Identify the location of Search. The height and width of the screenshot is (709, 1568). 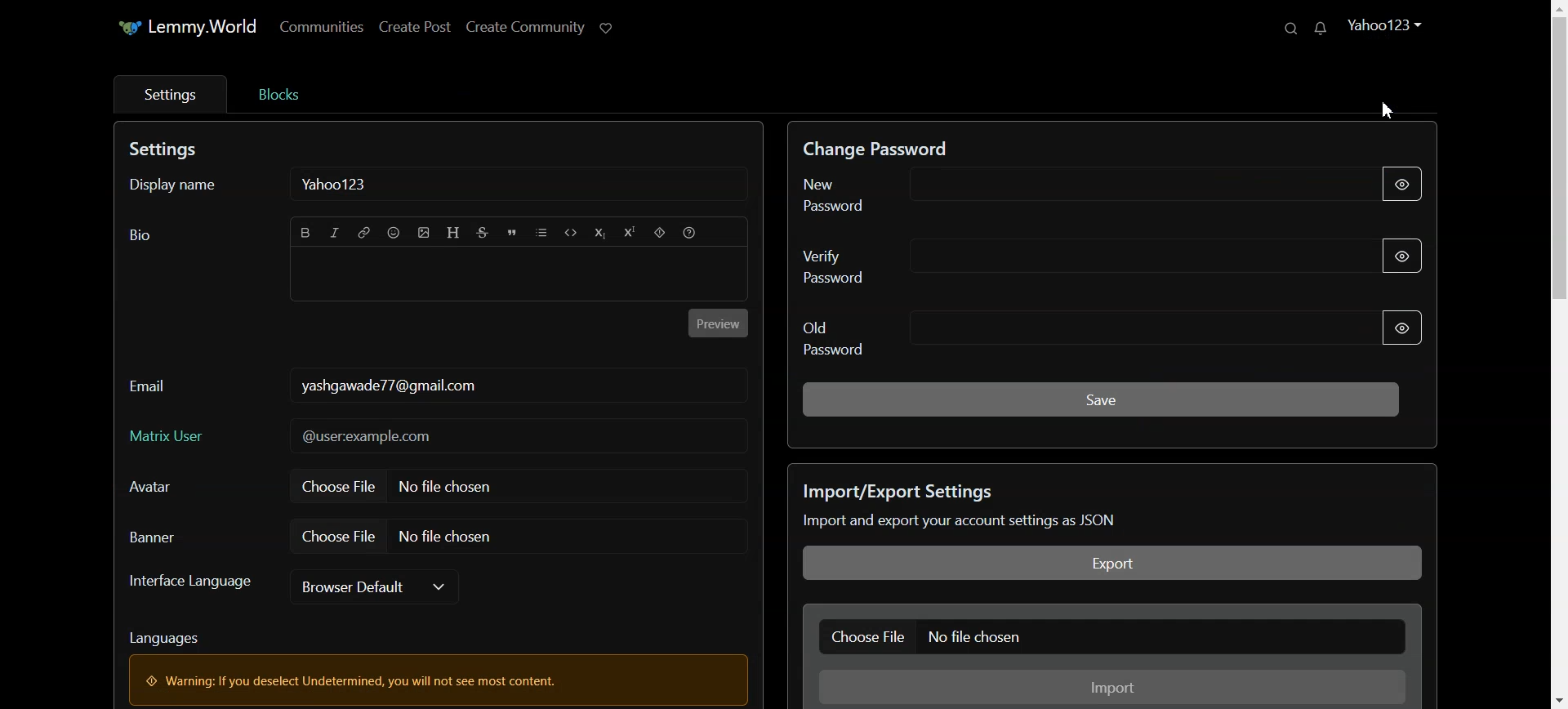
(1292, 29).